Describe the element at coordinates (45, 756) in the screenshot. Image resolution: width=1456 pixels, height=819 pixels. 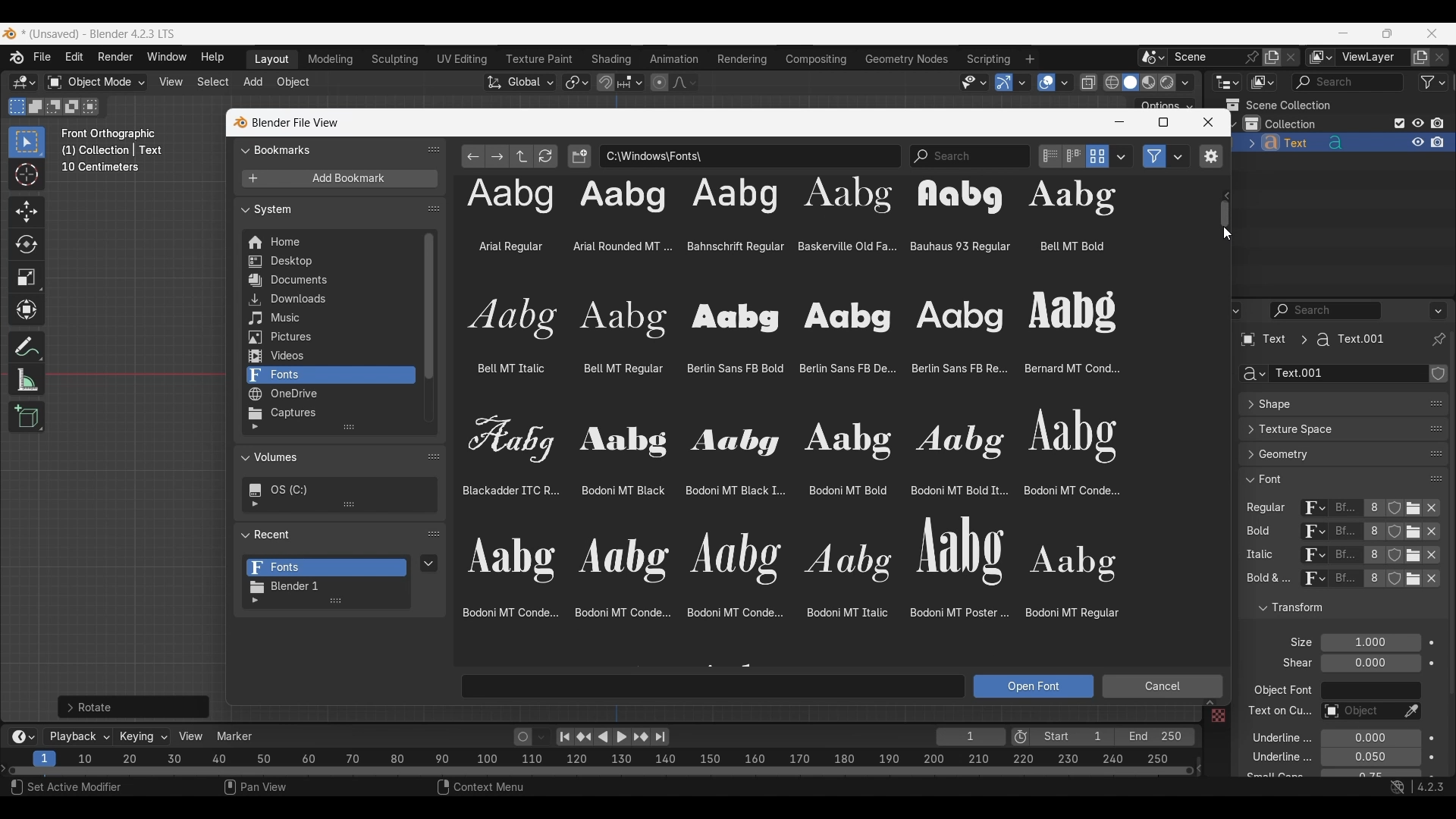
I see `Current frame, highlighted` at that location.